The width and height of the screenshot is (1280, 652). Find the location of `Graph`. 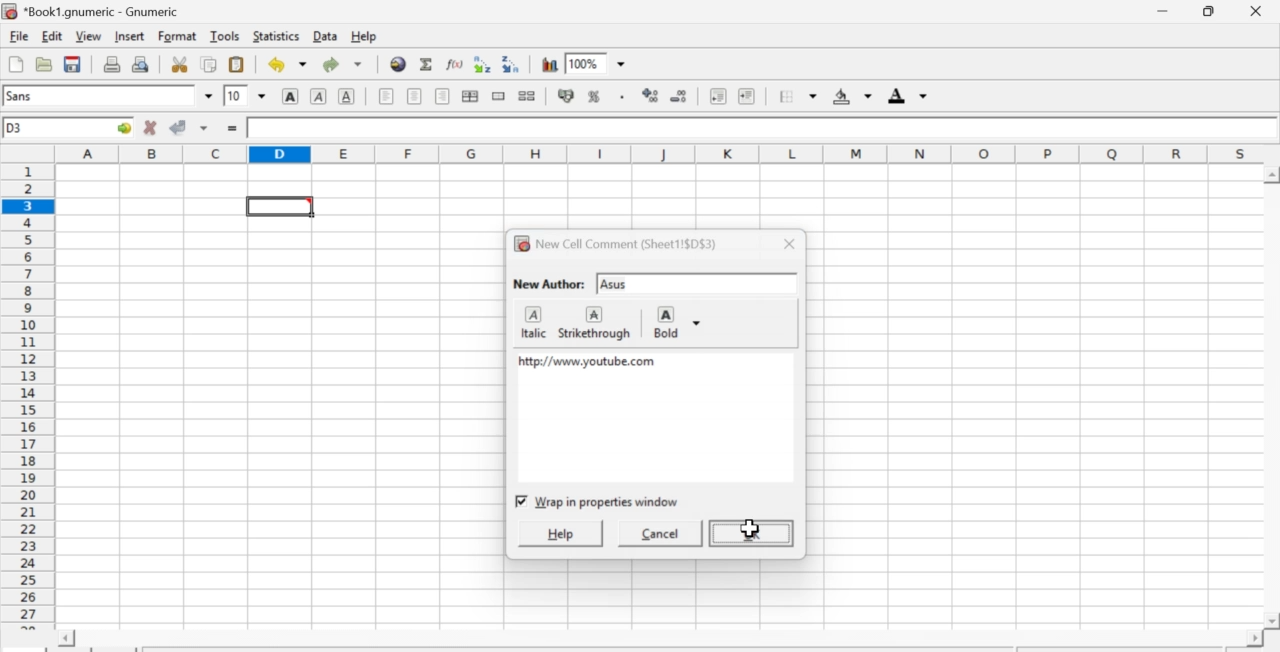

Graph is located at coordinates (550, 63).